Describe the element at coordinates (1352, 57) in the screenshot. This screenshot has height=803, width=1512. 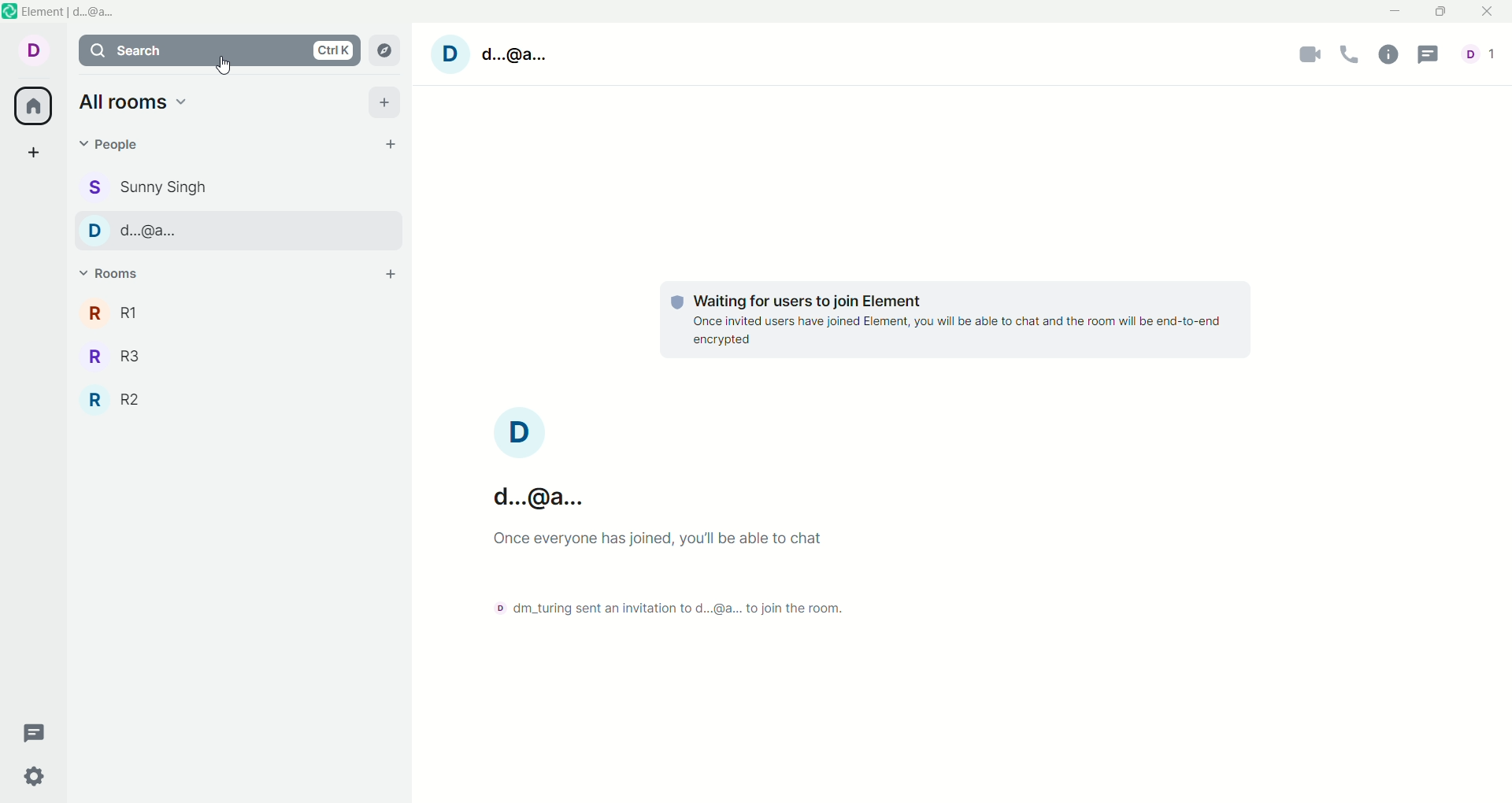
I see `voice call` at that location.